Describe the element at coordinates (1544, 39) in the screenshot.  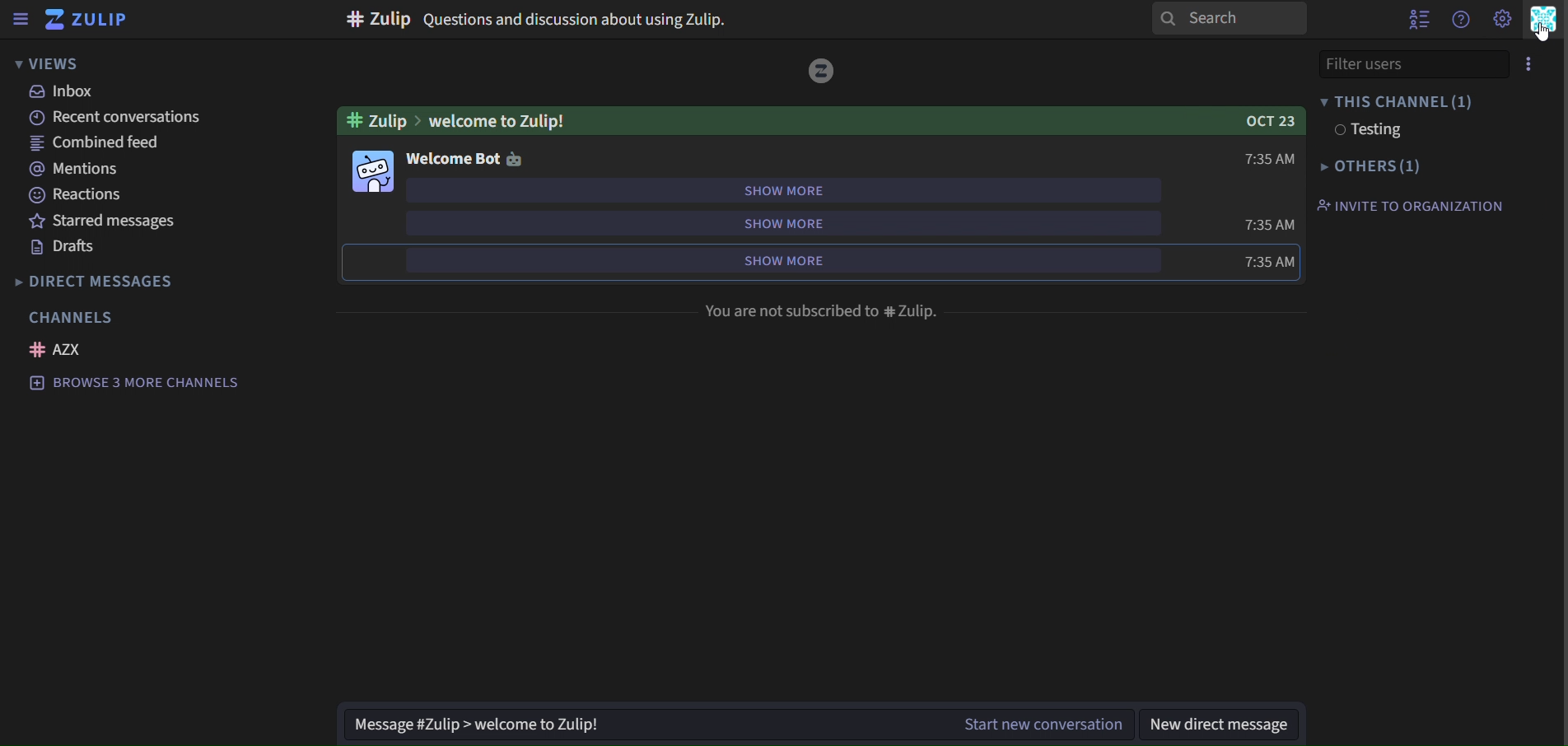
I see `Cursor` at that location.